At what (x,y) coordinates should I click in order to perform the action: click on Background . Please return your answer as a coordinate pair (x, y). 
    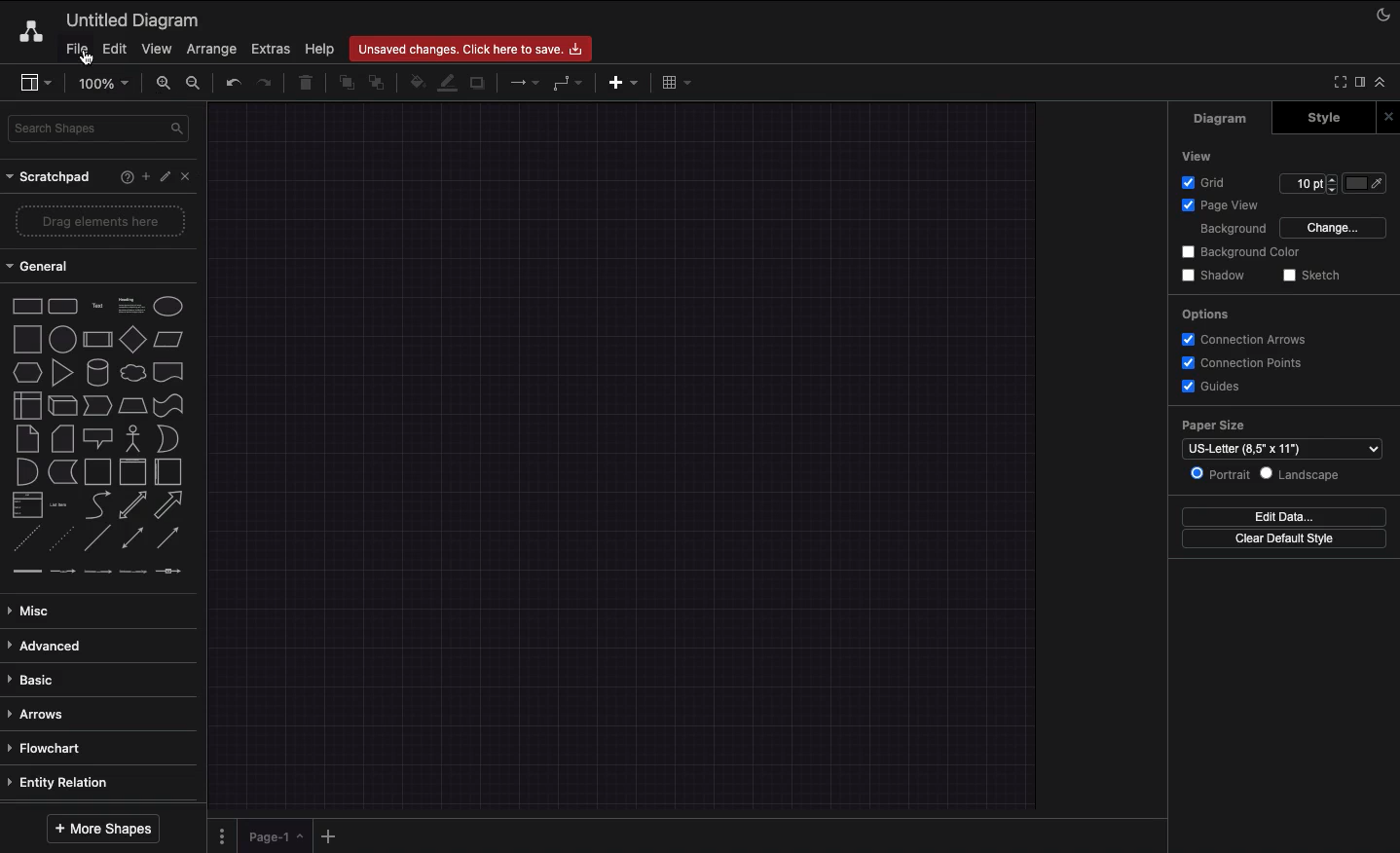
    Looking at the image, I should click on (1221, 230).